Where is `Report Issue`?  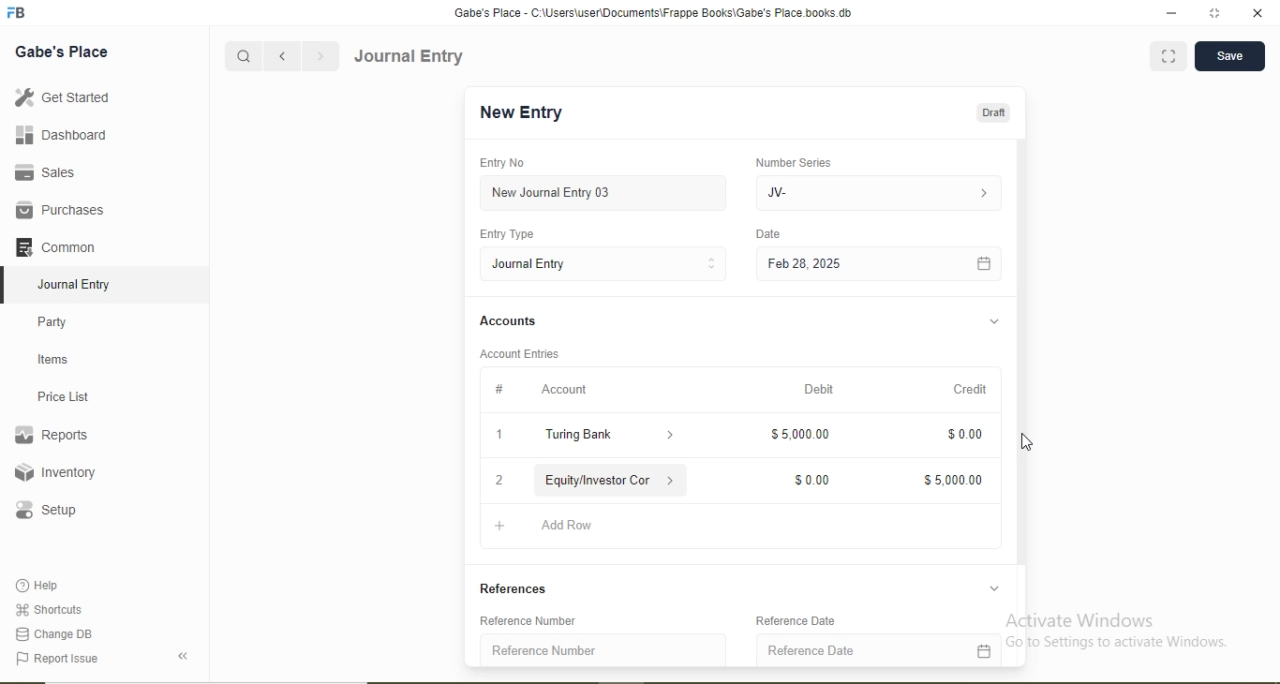 Report Issue is located at coordinates (56, 659).